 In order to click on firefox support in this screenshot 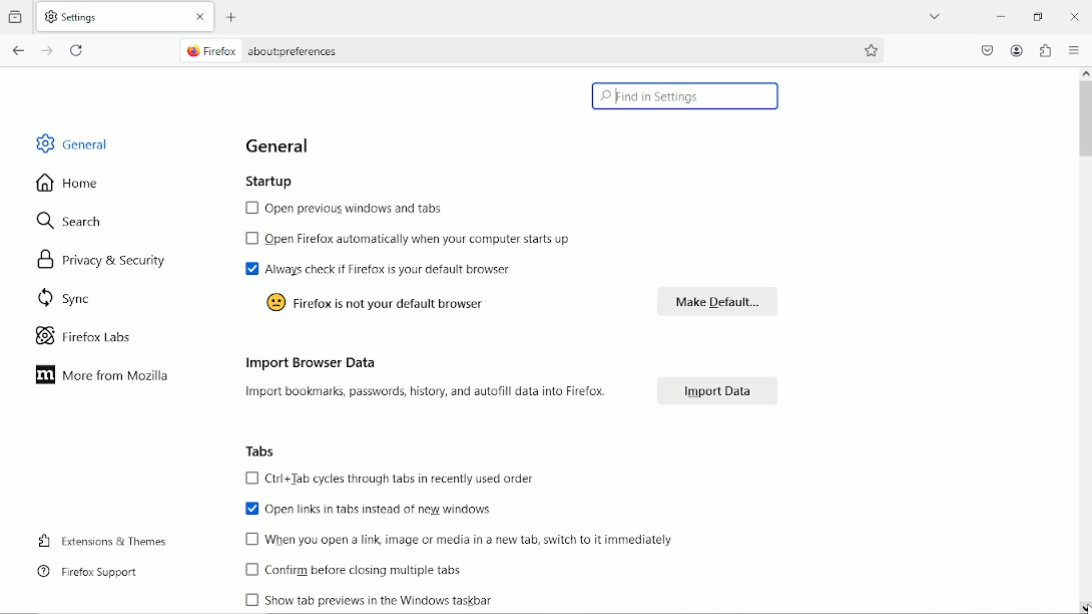, I will do `click(89, 572)`.